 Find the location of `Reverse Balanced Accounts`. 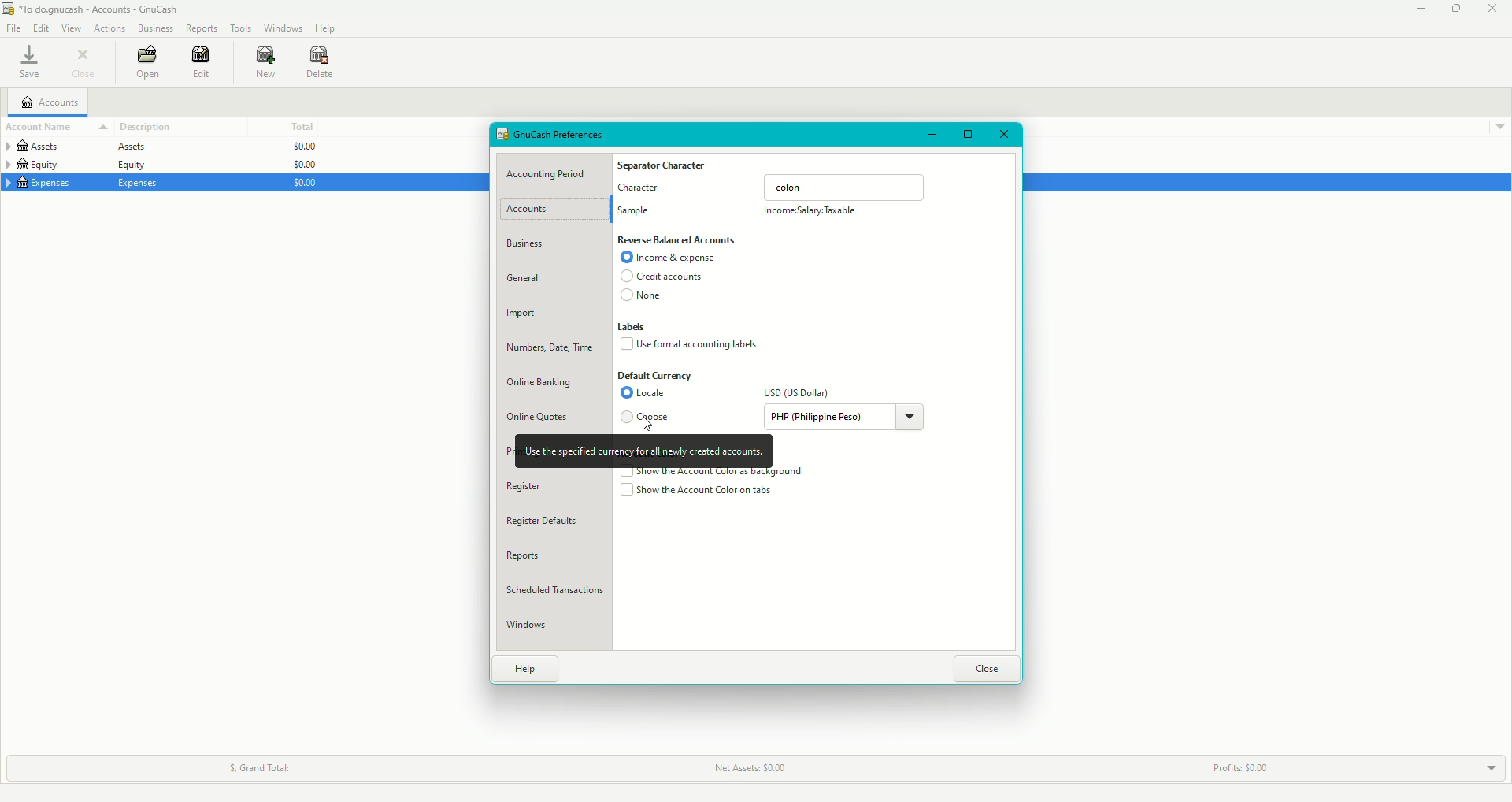

Reverse Balanced Accounts is located at coordinates (677, 240).